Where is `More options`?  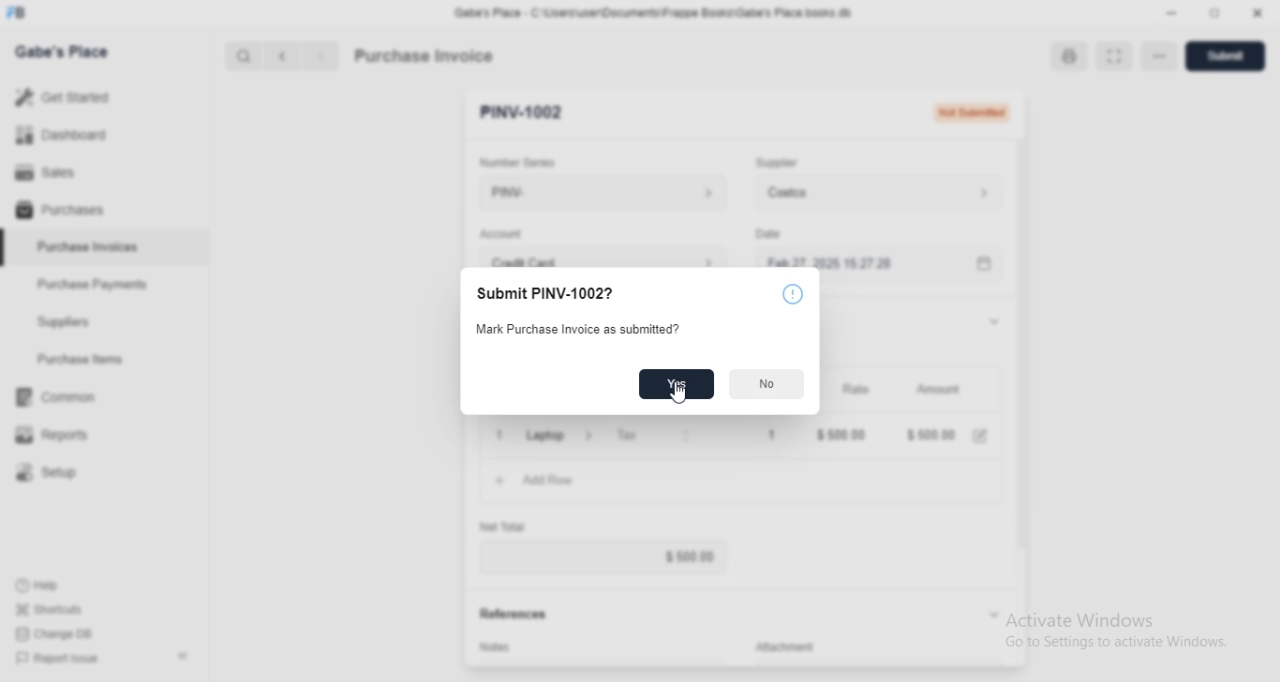 More options is located at coordinates (1159, 56).